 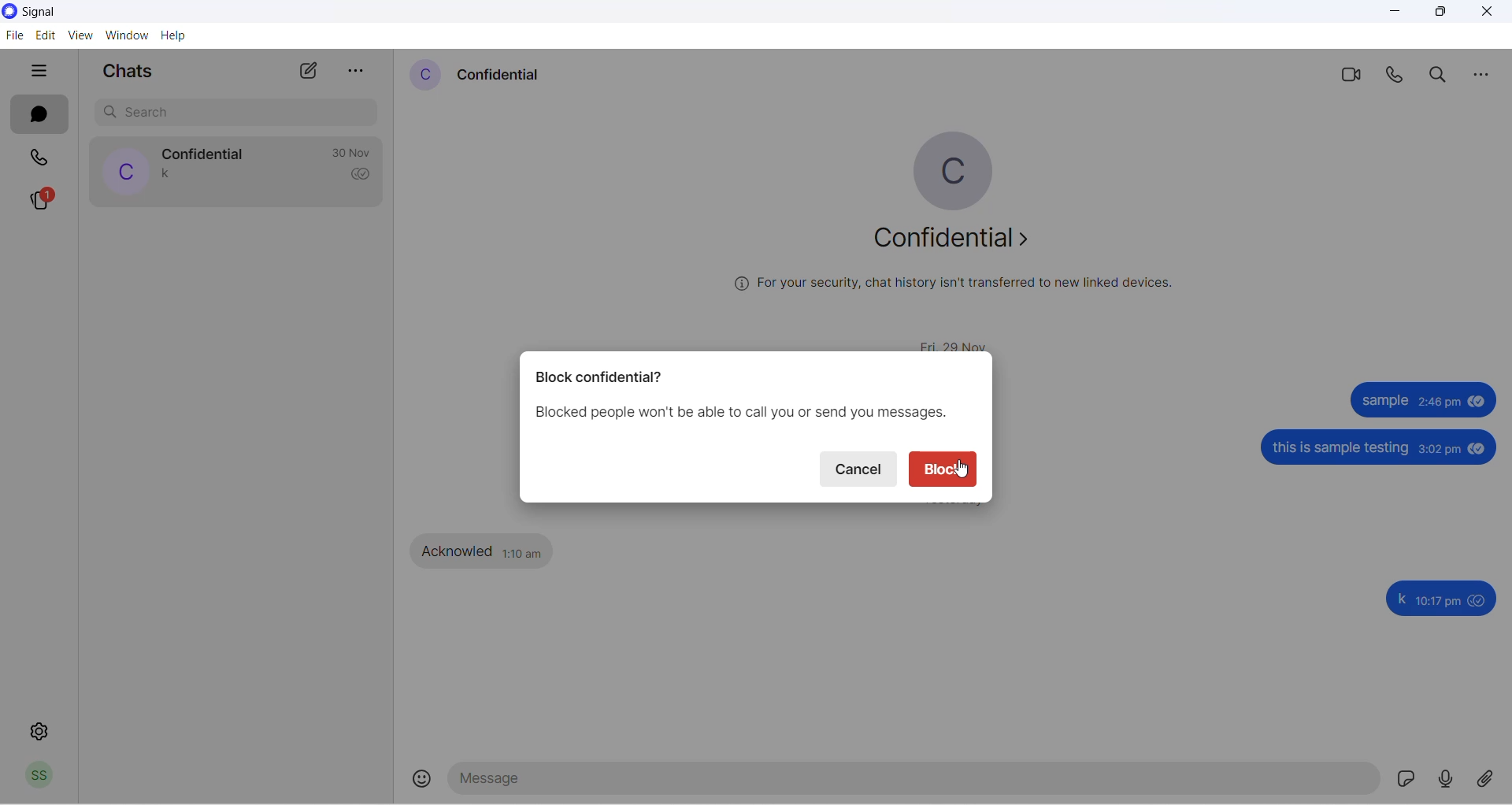 What do you see at coordinates (862, 468) in the screenshot?
I see `cancel` at bounding box center [862, 468].